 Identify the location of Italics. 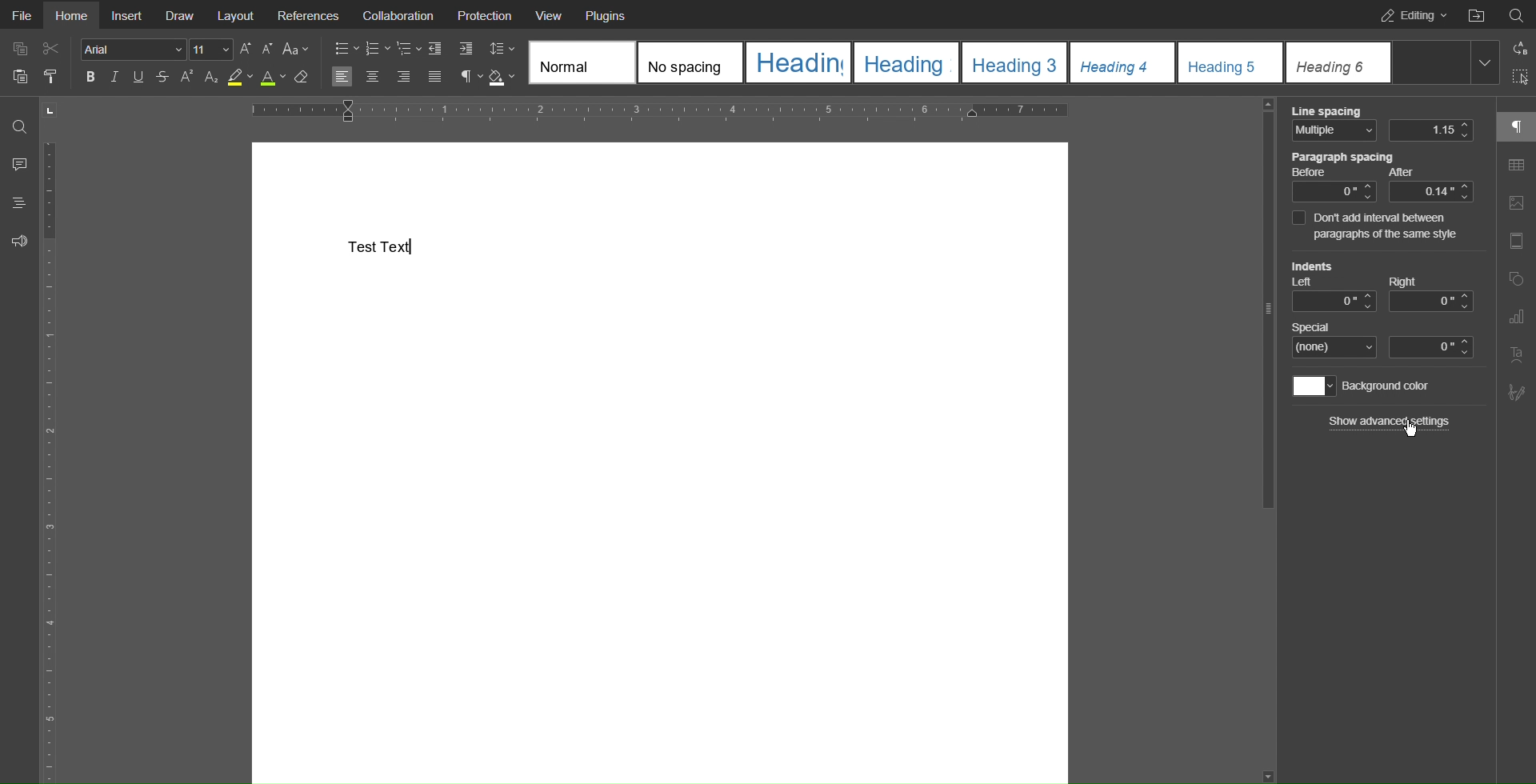
(117, 78).